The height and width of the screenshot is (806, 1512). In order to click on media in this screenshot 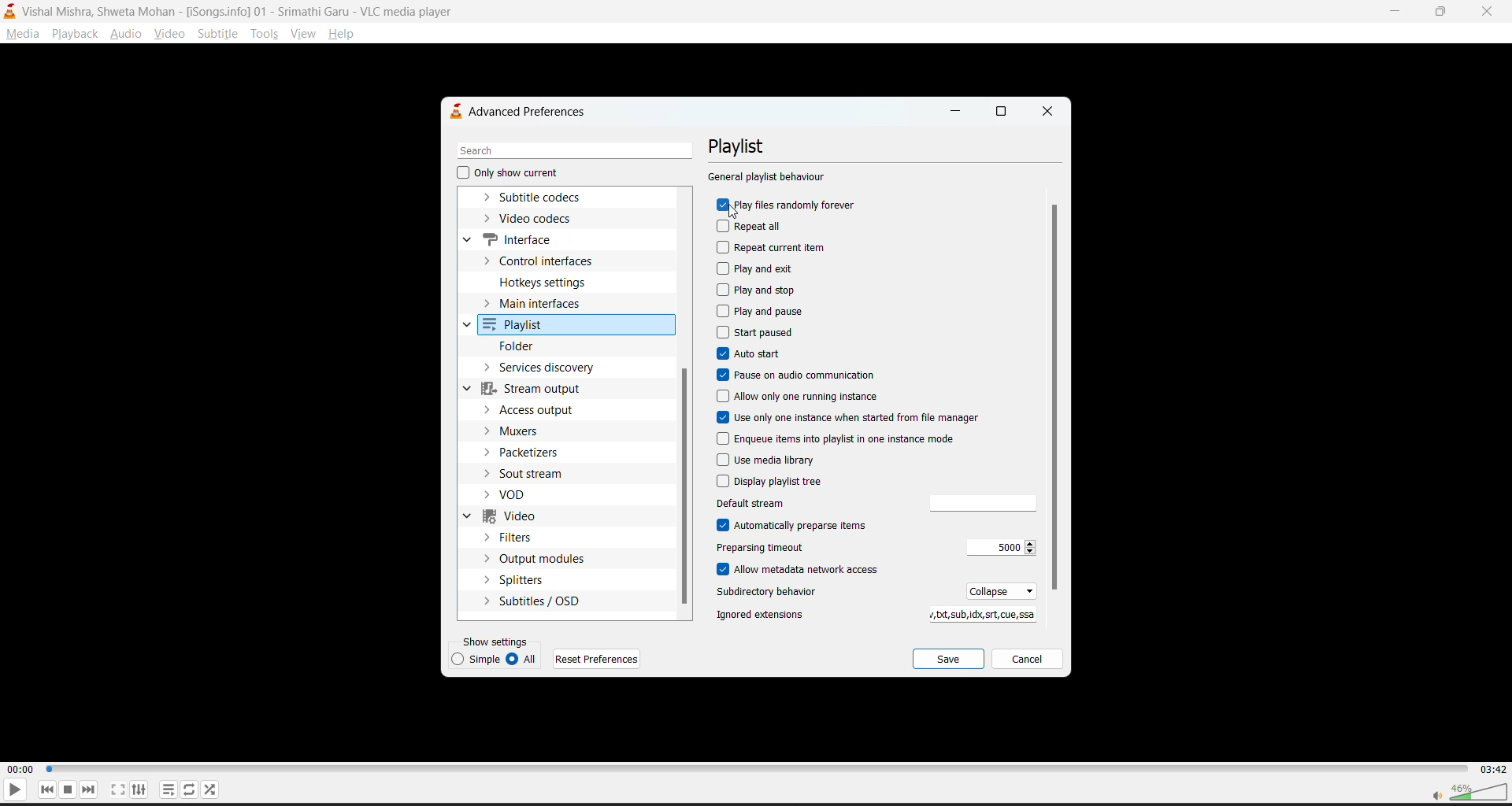, I will do `click(20, 32)`.